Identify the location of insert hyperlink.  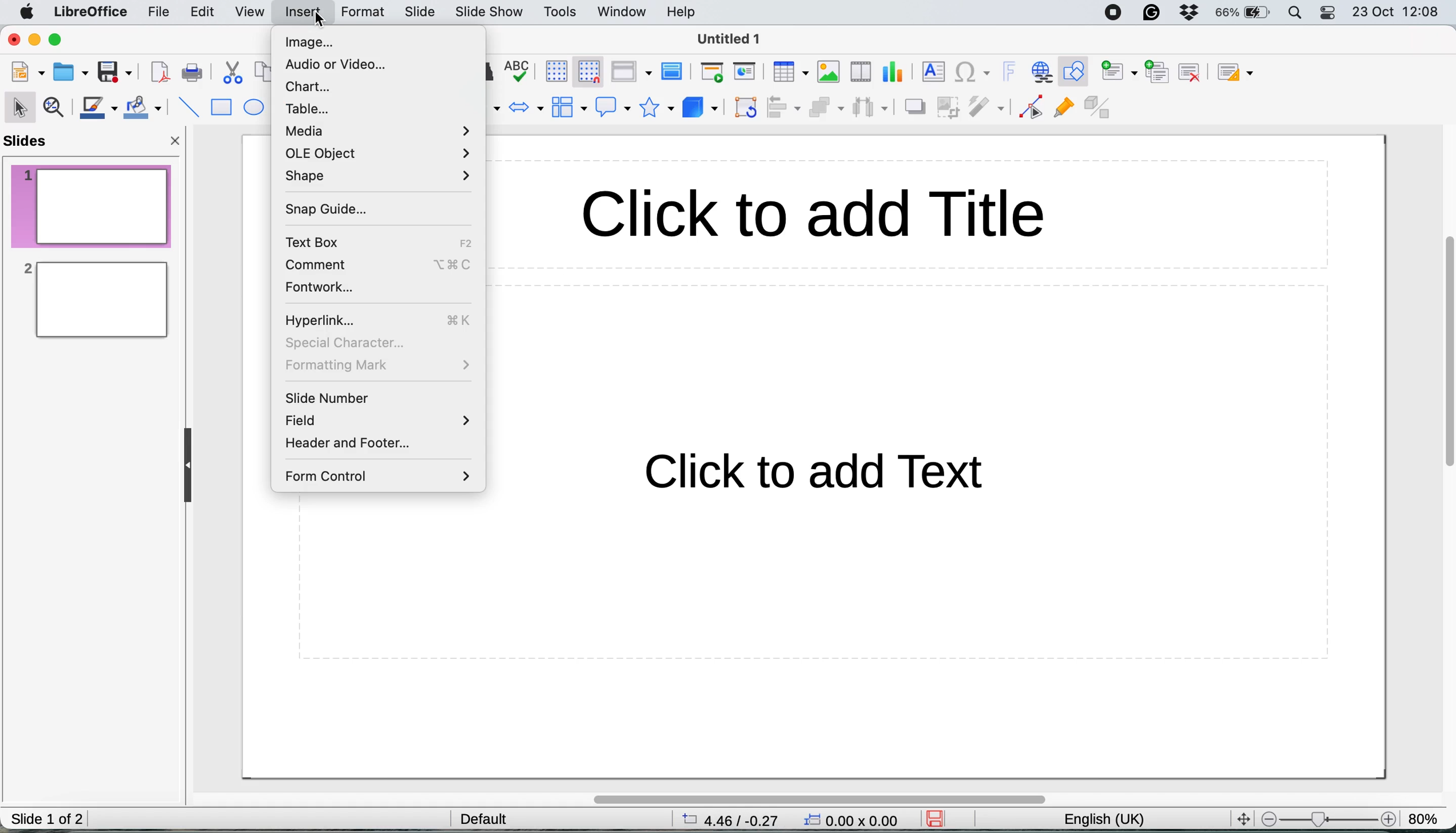
(1040, 72).